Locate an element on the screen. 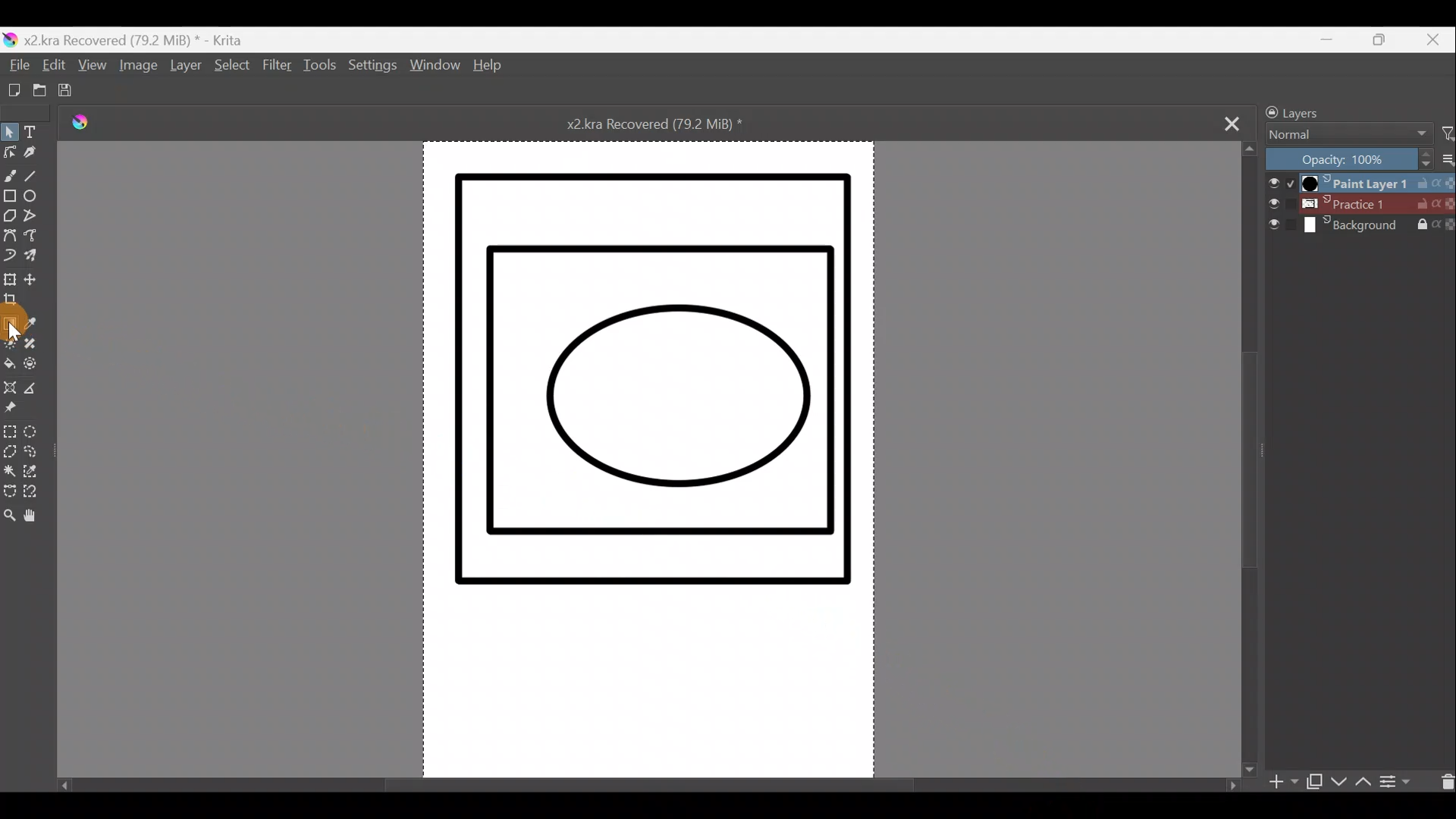  Calligraphy is located at coordinates (30, 157).